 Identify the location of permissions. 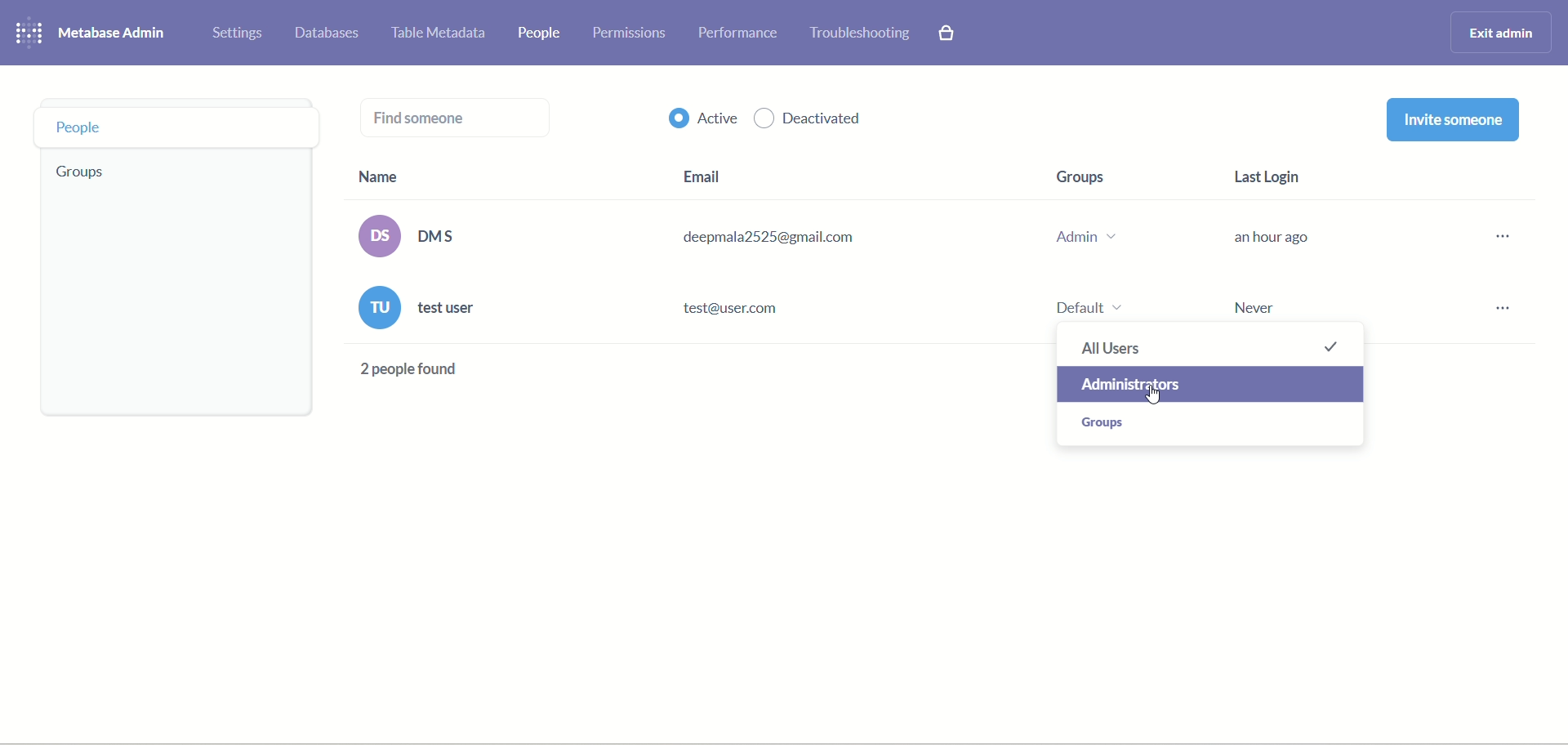
(630, 33).